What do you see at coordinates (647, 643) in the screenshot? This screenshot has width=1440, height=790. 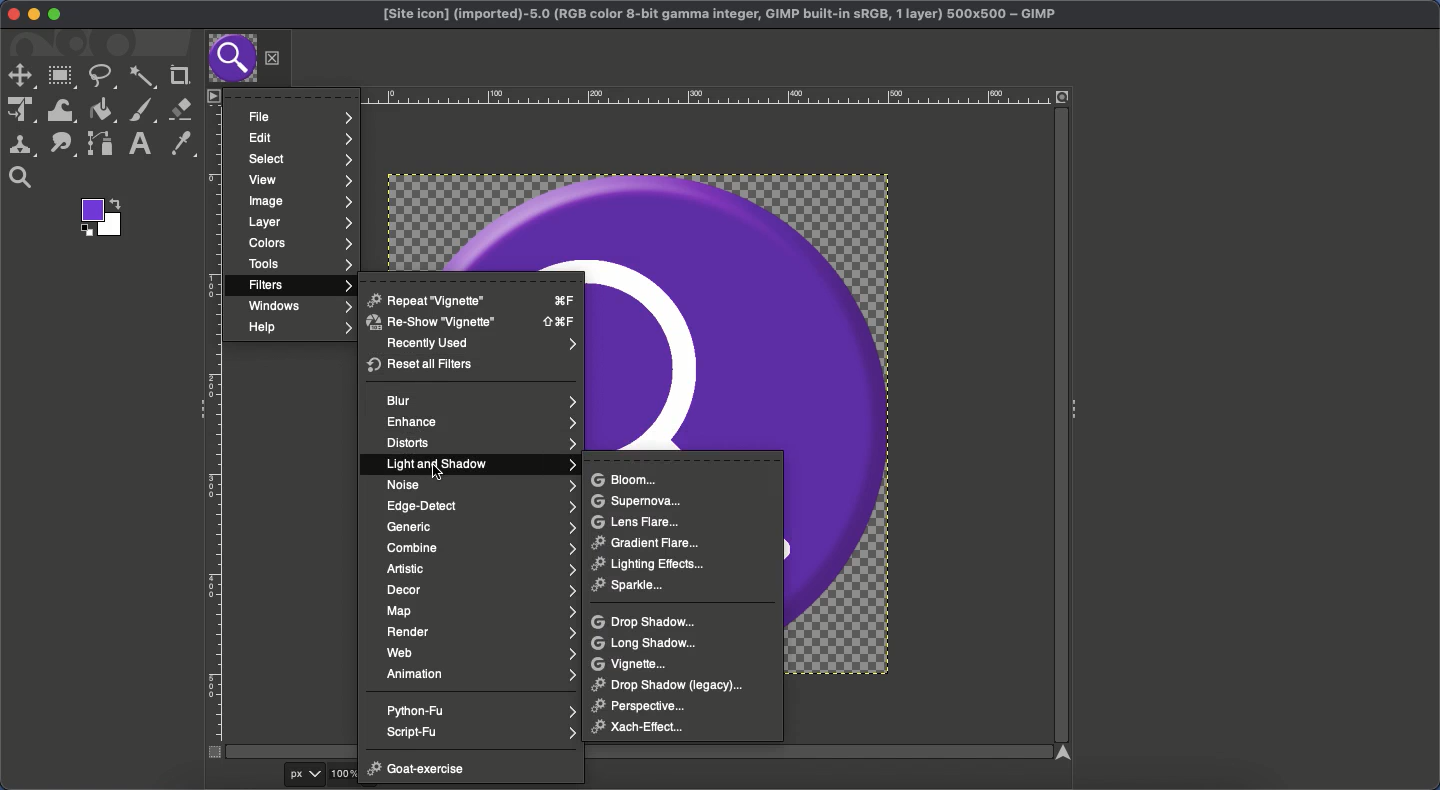 I see `Long shadow` at bounding box center [647, 643].